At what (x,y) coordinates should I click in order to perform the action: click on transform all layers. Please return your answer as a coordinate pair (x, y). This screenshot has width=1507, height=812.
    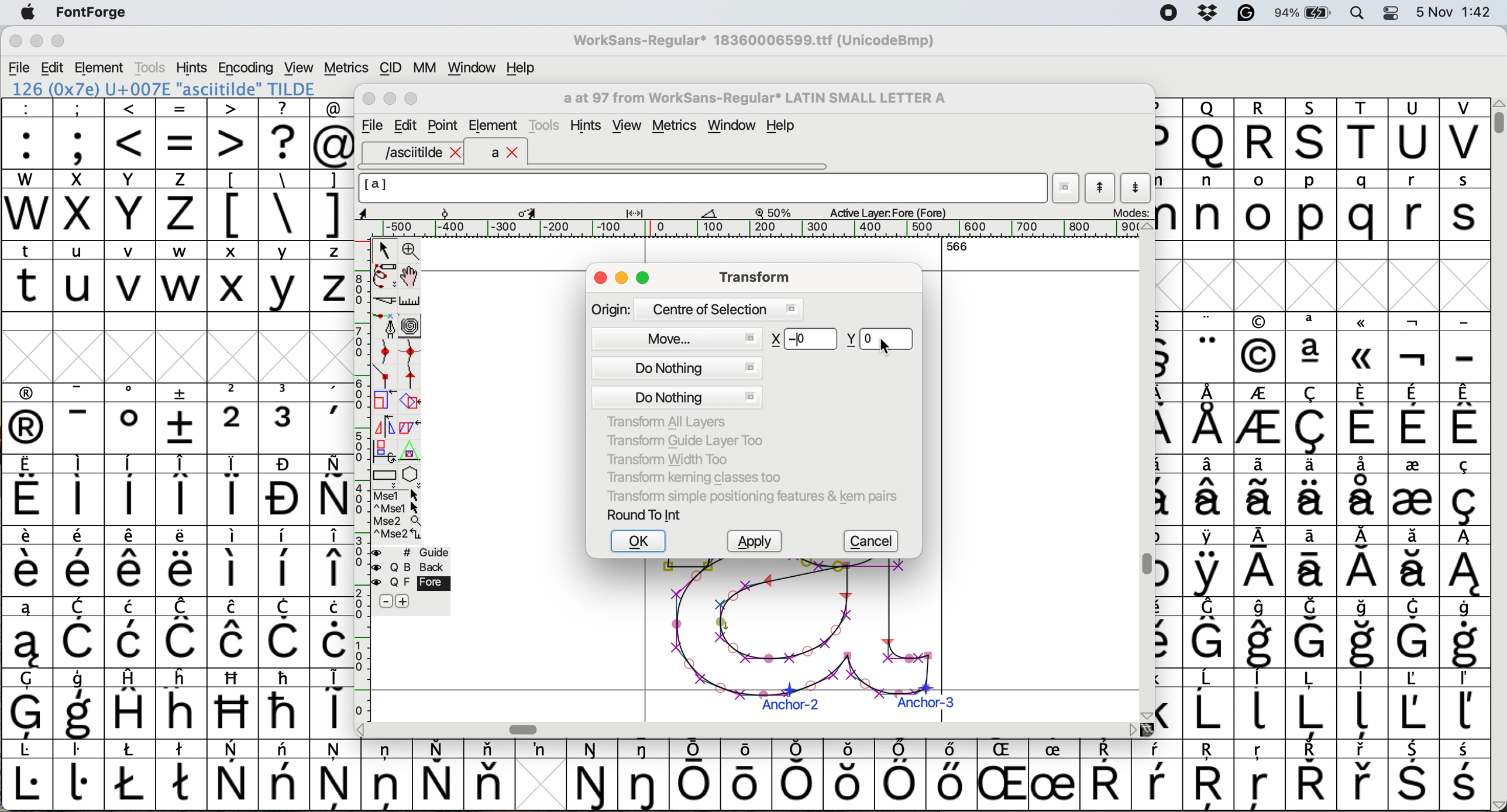
    Looking at the image, I should click on (670, 422).